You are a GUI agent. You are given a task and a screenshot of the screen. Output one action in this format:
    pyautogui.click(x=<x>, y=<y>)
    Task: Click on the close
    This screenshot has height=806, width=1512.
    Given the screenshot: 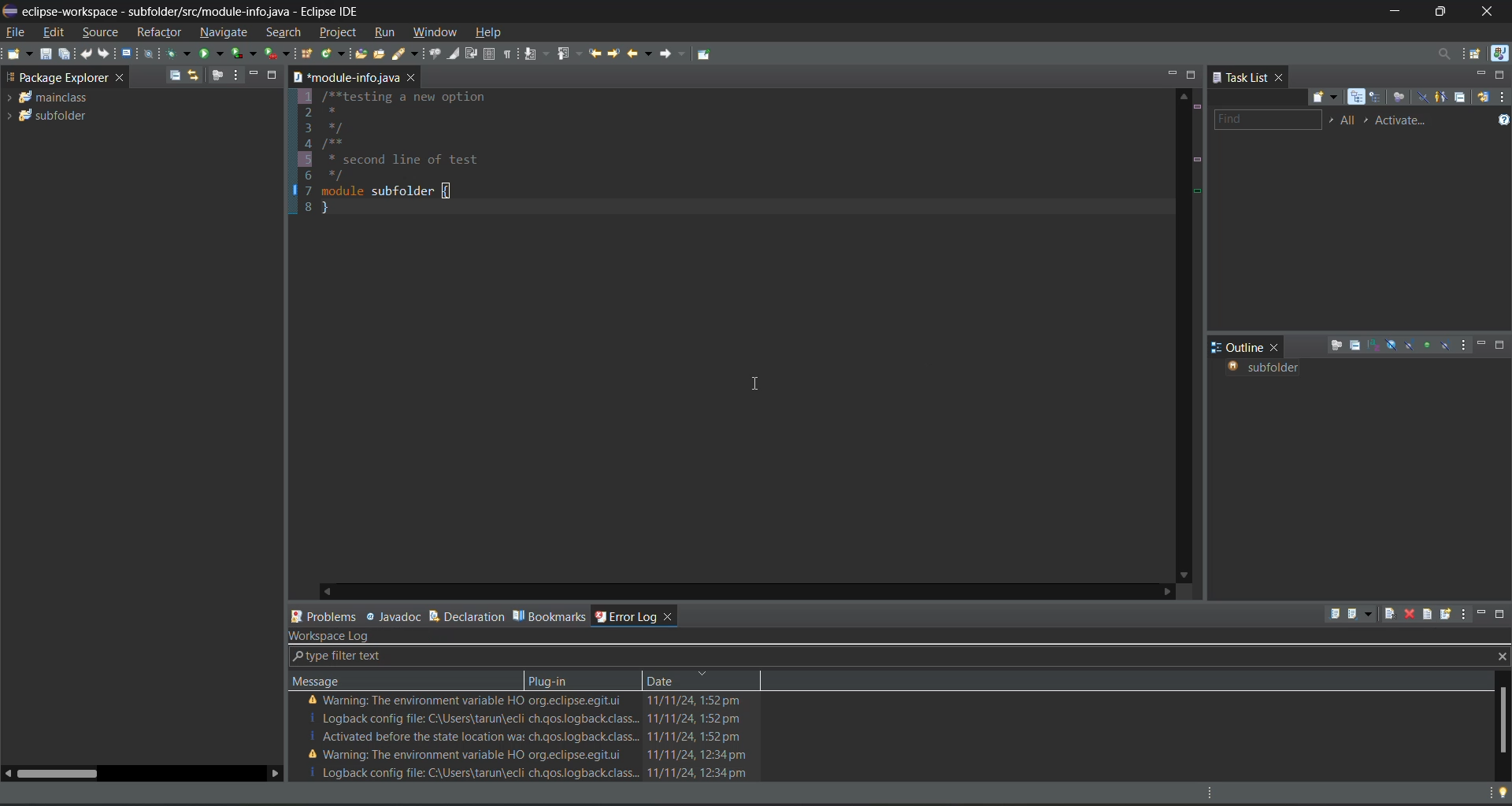 What is the action you would take?
    pyautogui.click(x=1277, y=349)
    